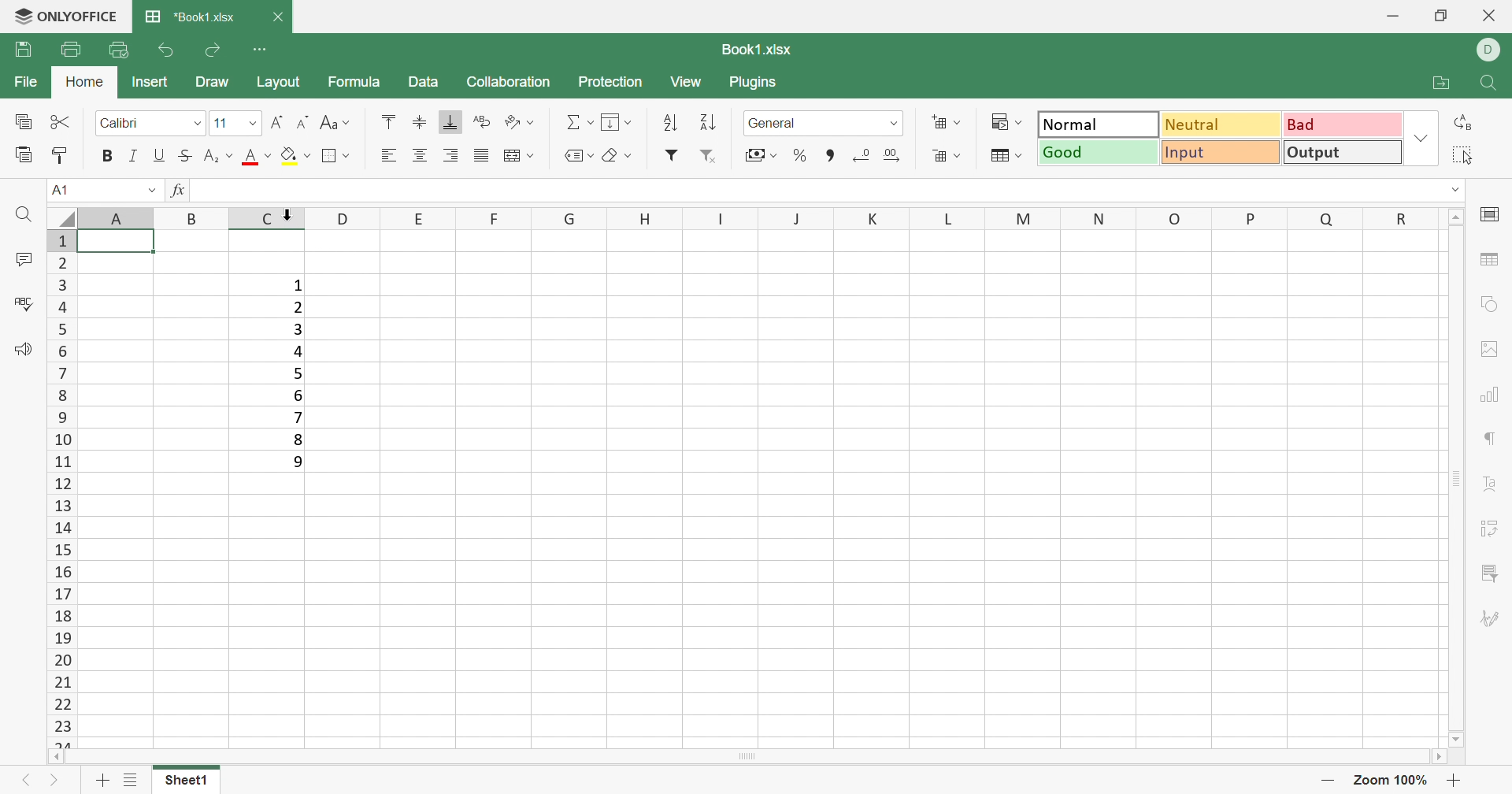 Image resolution: width=1512 pixels, height=794 pixels. Describe the element at coordinates (1492, 262) in the screenshot. I see `Table settings` at that location.